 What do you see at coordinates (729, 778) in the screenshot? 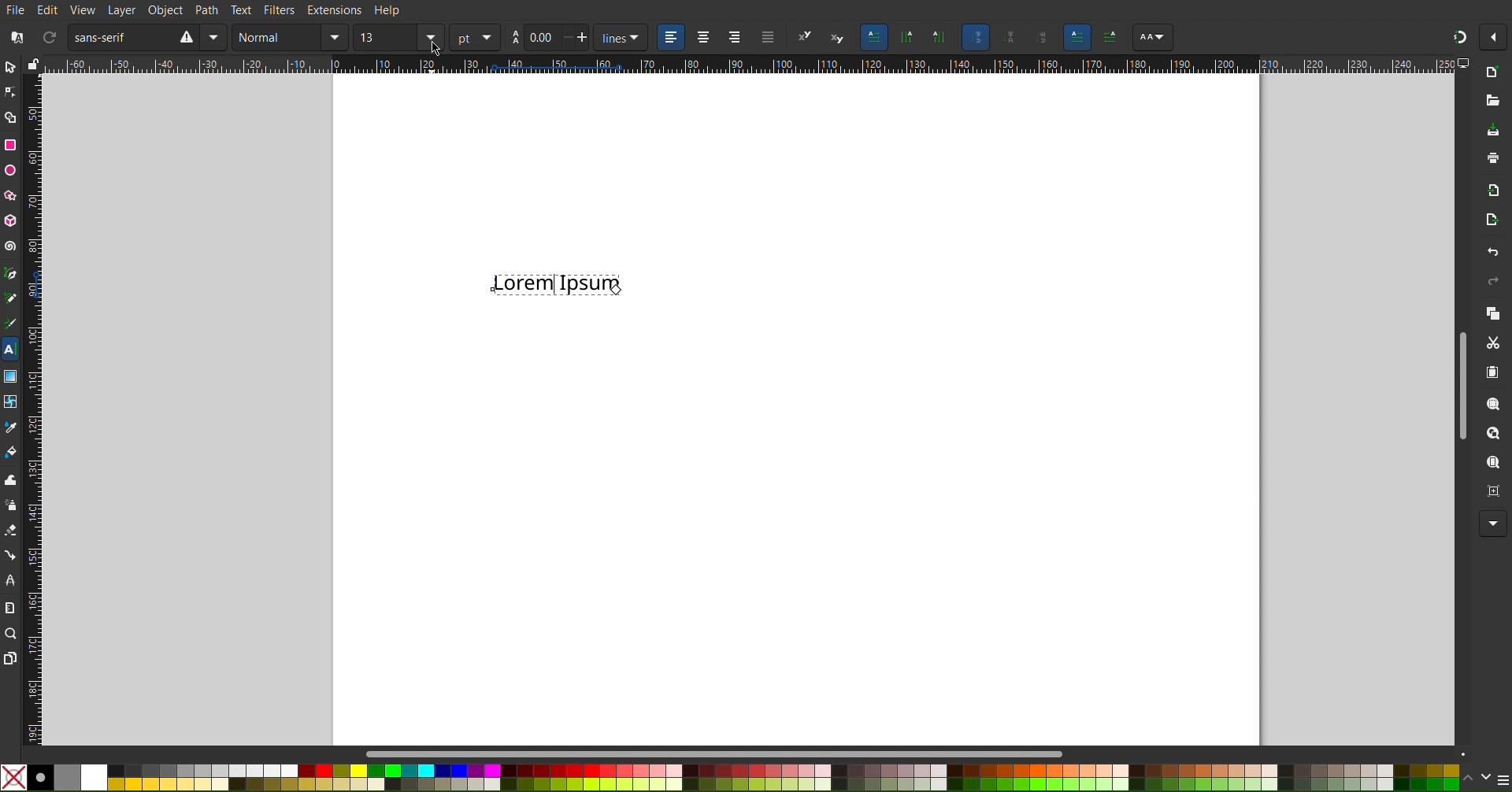
I see `Color` at bounding box center [729, 778].